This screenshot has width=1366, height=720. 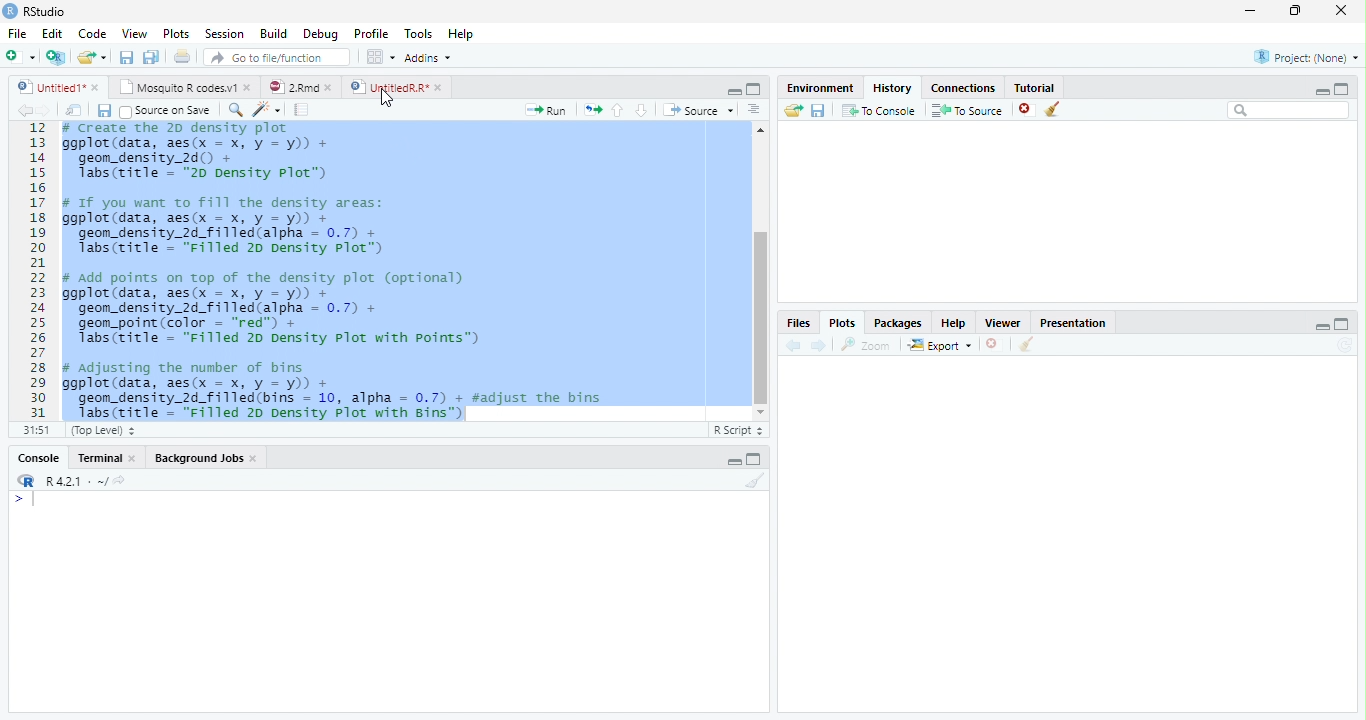 I want to click on Search, so click(x=1289, y=110).